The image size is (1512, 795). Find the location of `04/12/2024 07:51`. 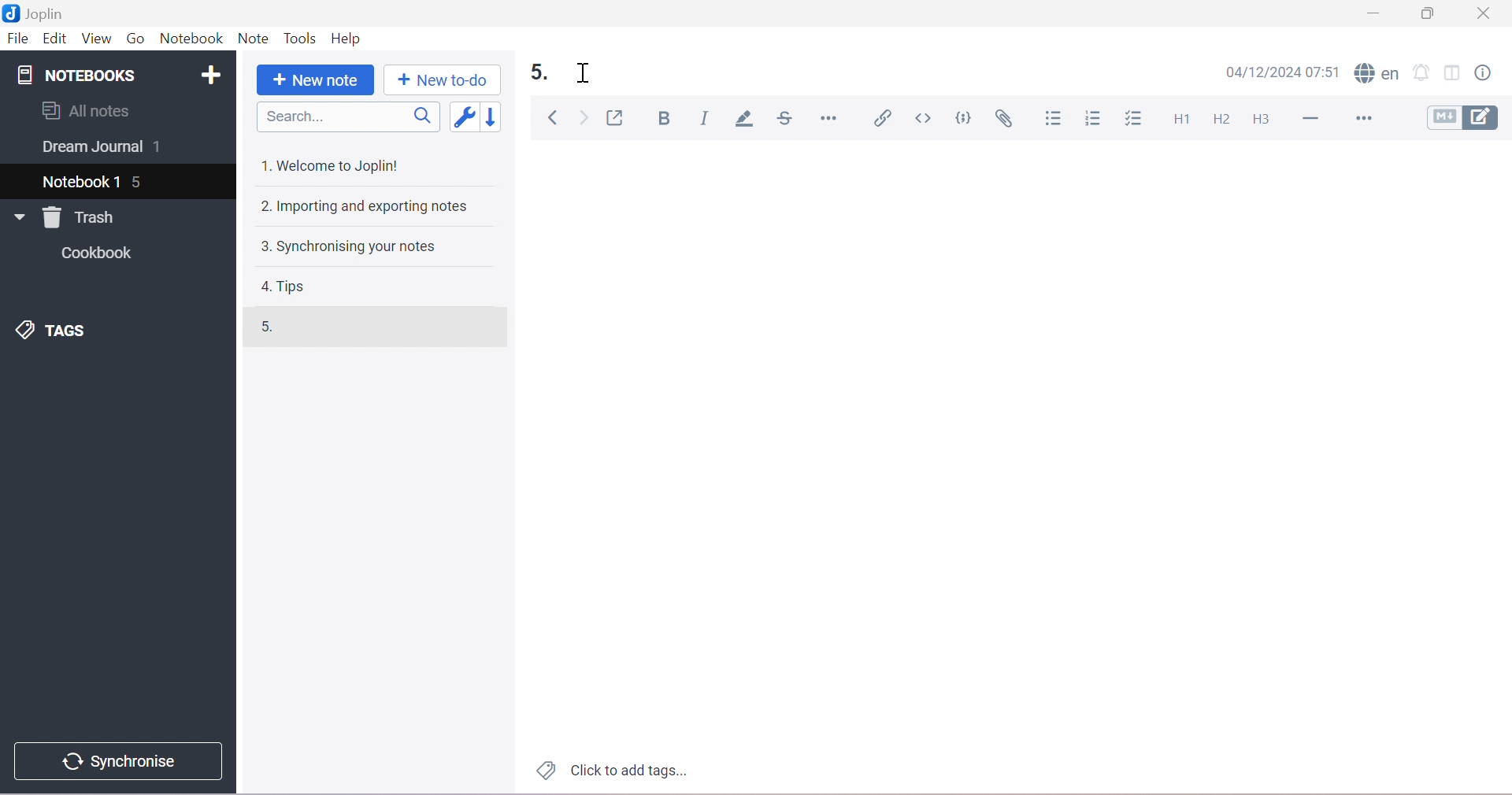

04/12/2024 07:51 is located at coordinates (1287, 72).